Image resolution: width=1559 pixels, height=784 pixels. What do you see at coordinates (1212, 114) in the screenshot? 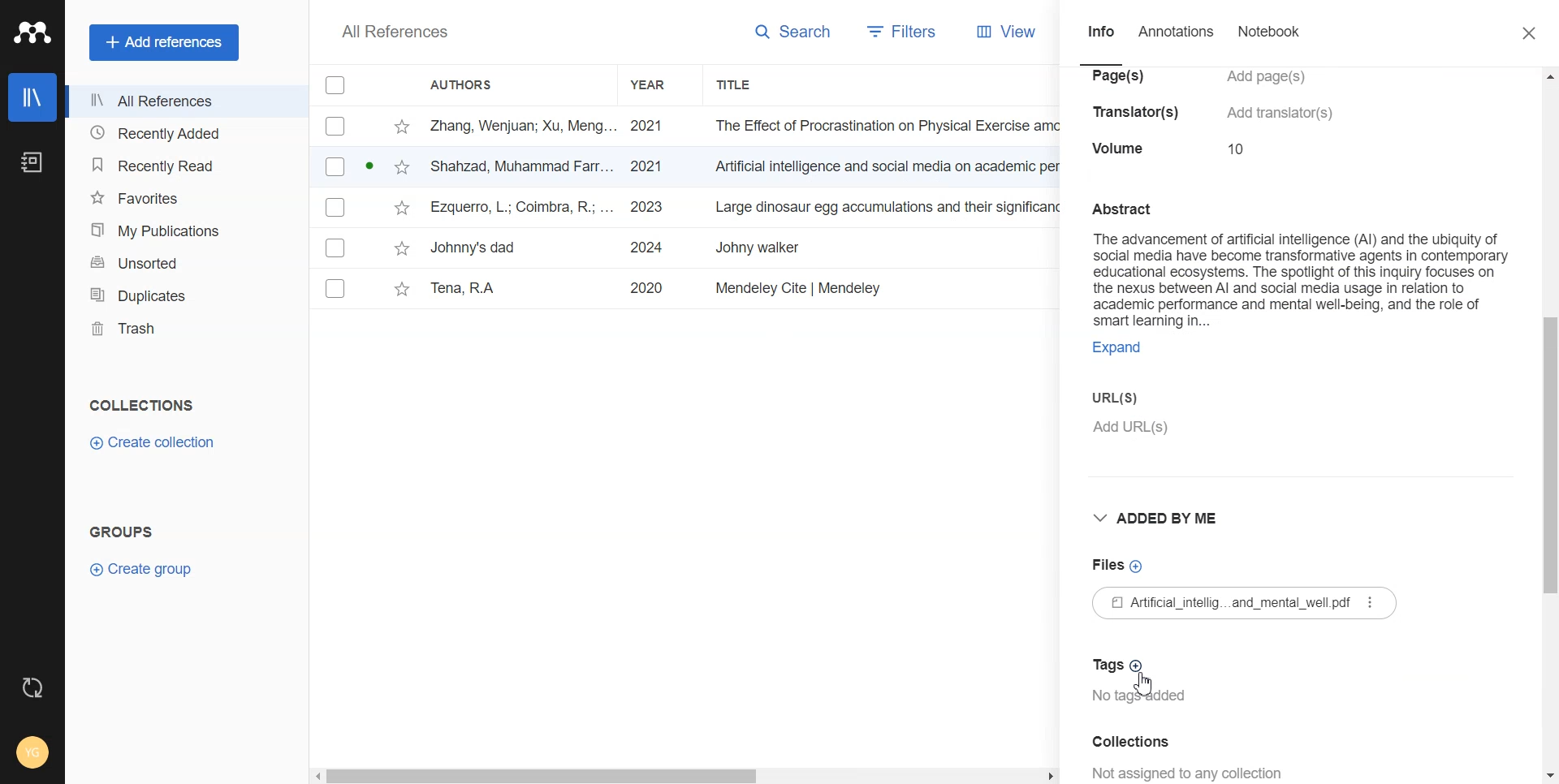
I see `ial intelligence (Al) and the` at bounding box center [1212, 114].